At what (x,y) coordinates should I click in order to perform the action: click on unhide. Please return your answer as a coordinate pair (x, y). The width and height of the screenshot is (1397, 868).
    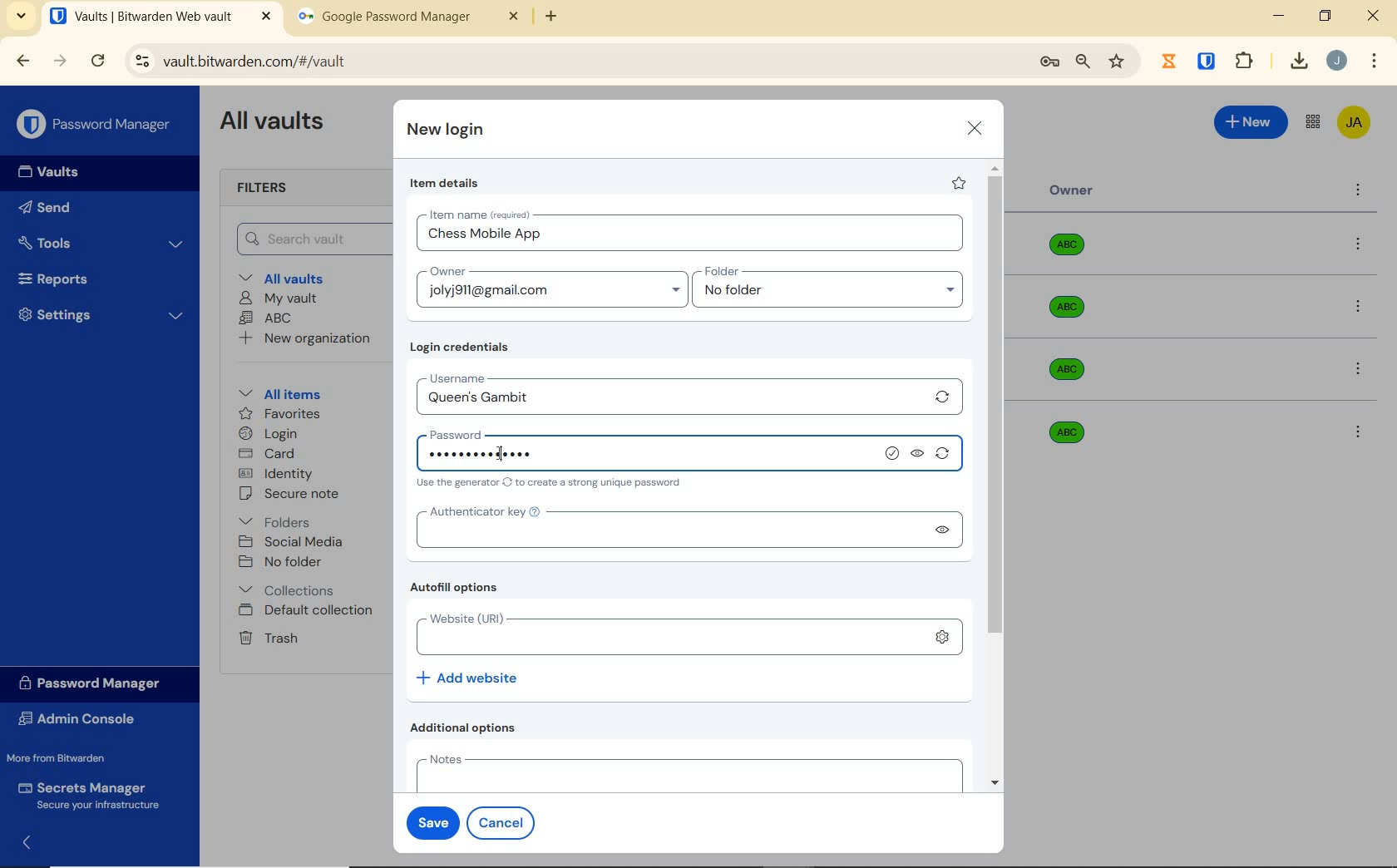
    Looking at the image, I should click on (919, 455).